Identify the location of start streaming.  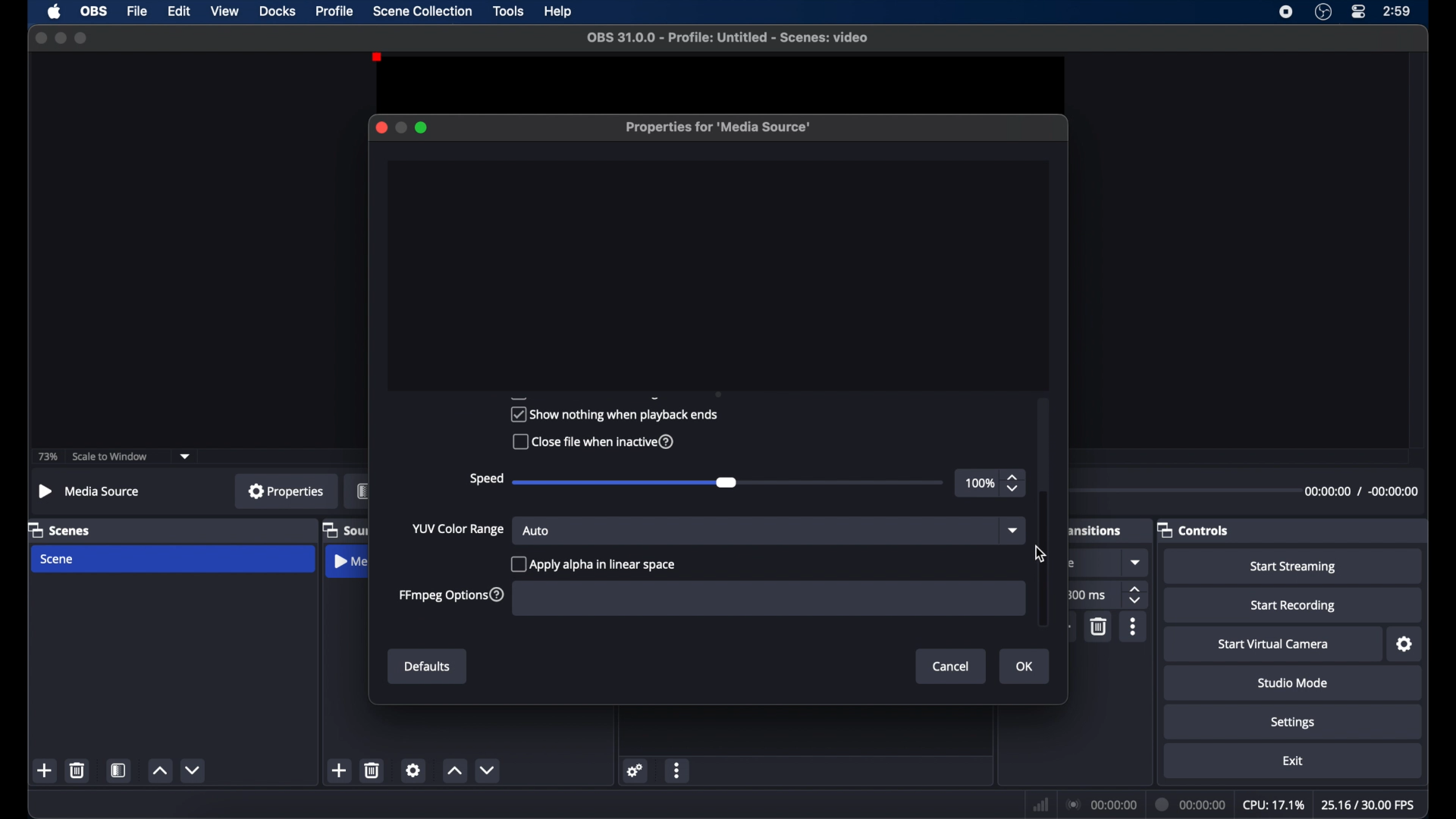
(1294, 566).